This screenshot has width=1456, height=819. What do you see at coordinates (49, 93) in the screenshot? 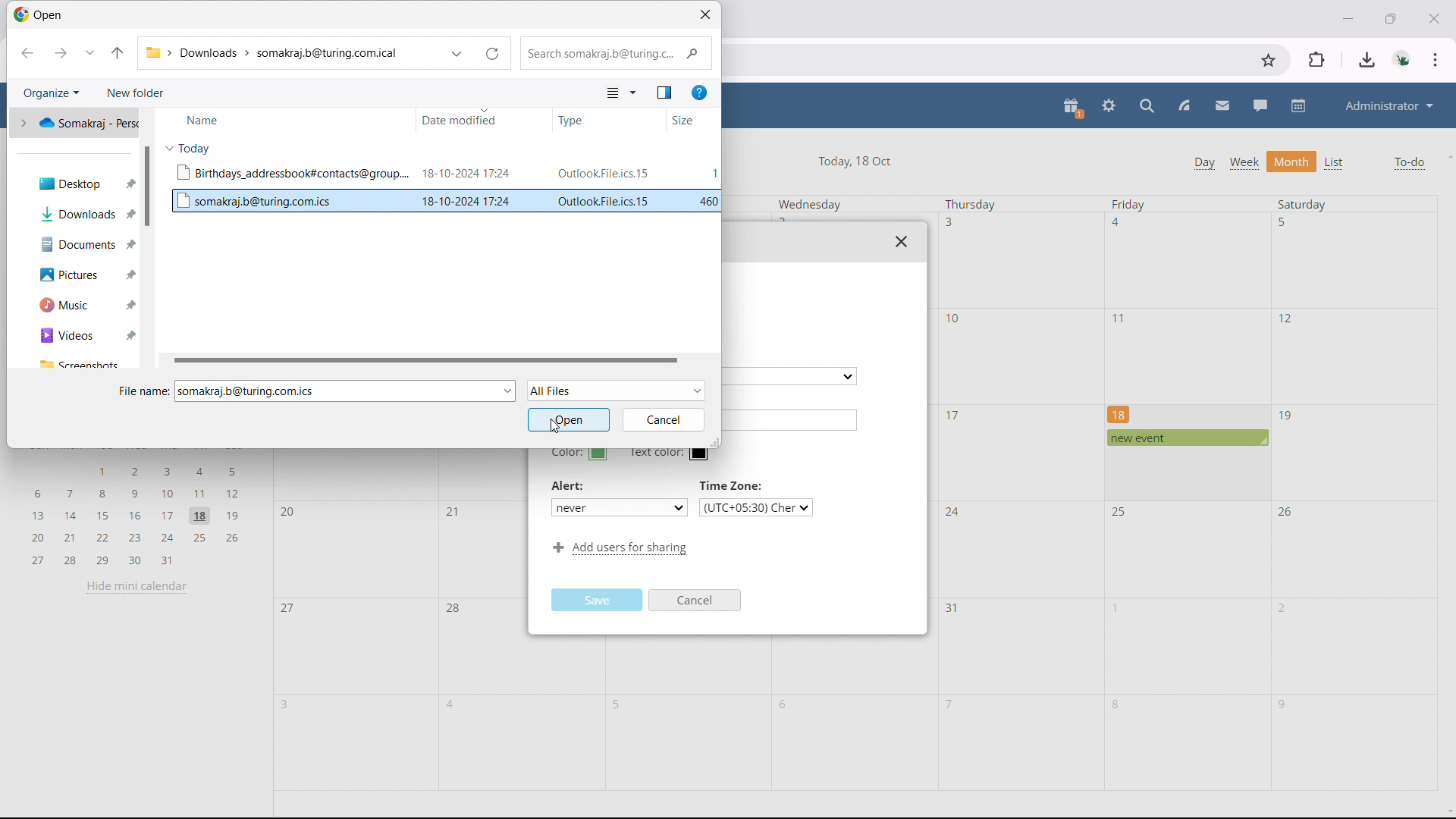
I see `Organize` at bounding box center [49, 93].